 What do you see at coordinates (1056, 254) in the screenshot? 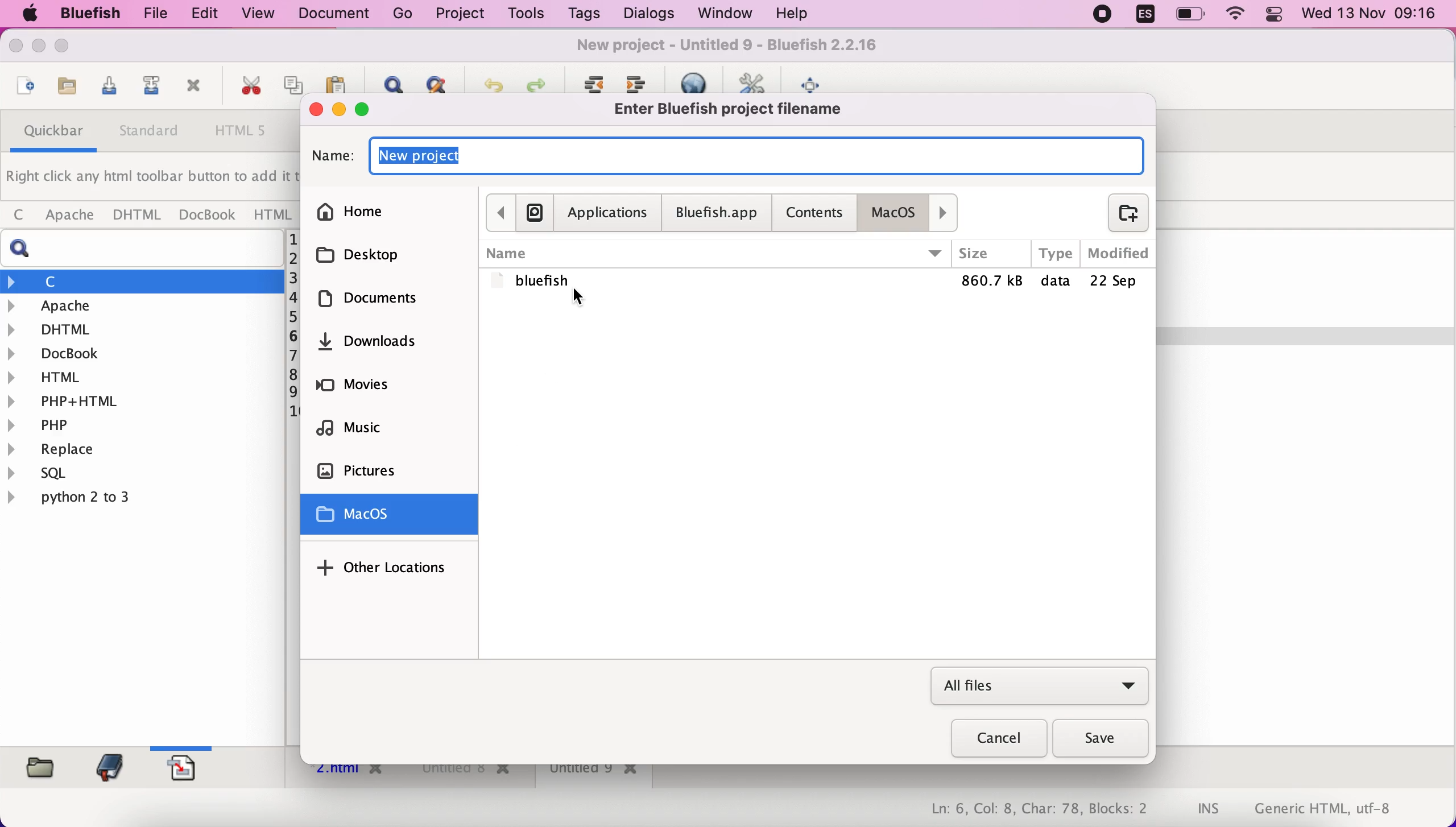
I see `type` at bounding box center [1056, 254].